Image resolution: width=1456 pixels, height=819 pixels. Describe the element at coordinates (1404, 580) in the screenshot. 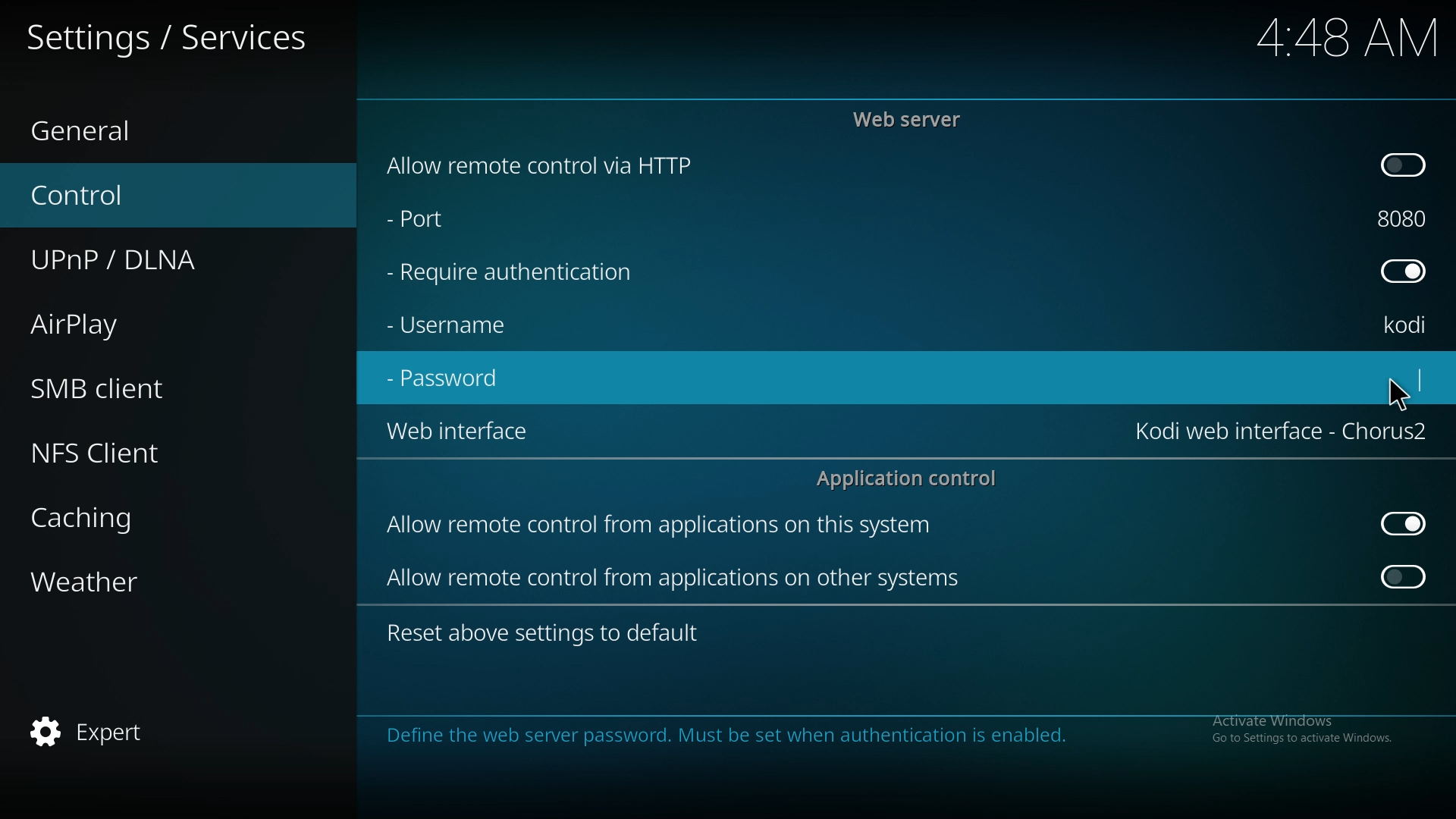

I see `on` at that location.